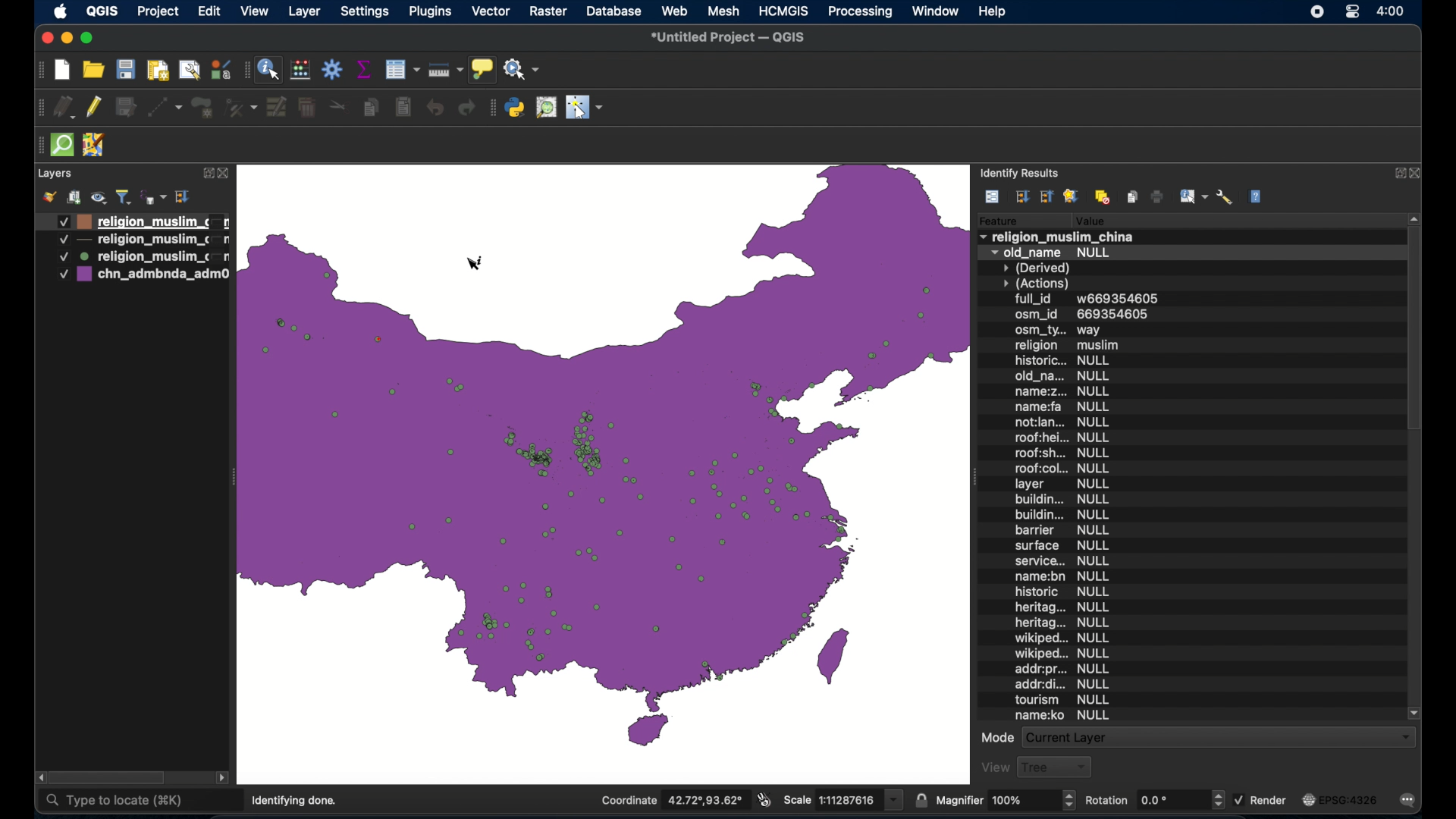 This screenshot has width=1456, height=819. I want to click on quick osm, so click(64, 146).